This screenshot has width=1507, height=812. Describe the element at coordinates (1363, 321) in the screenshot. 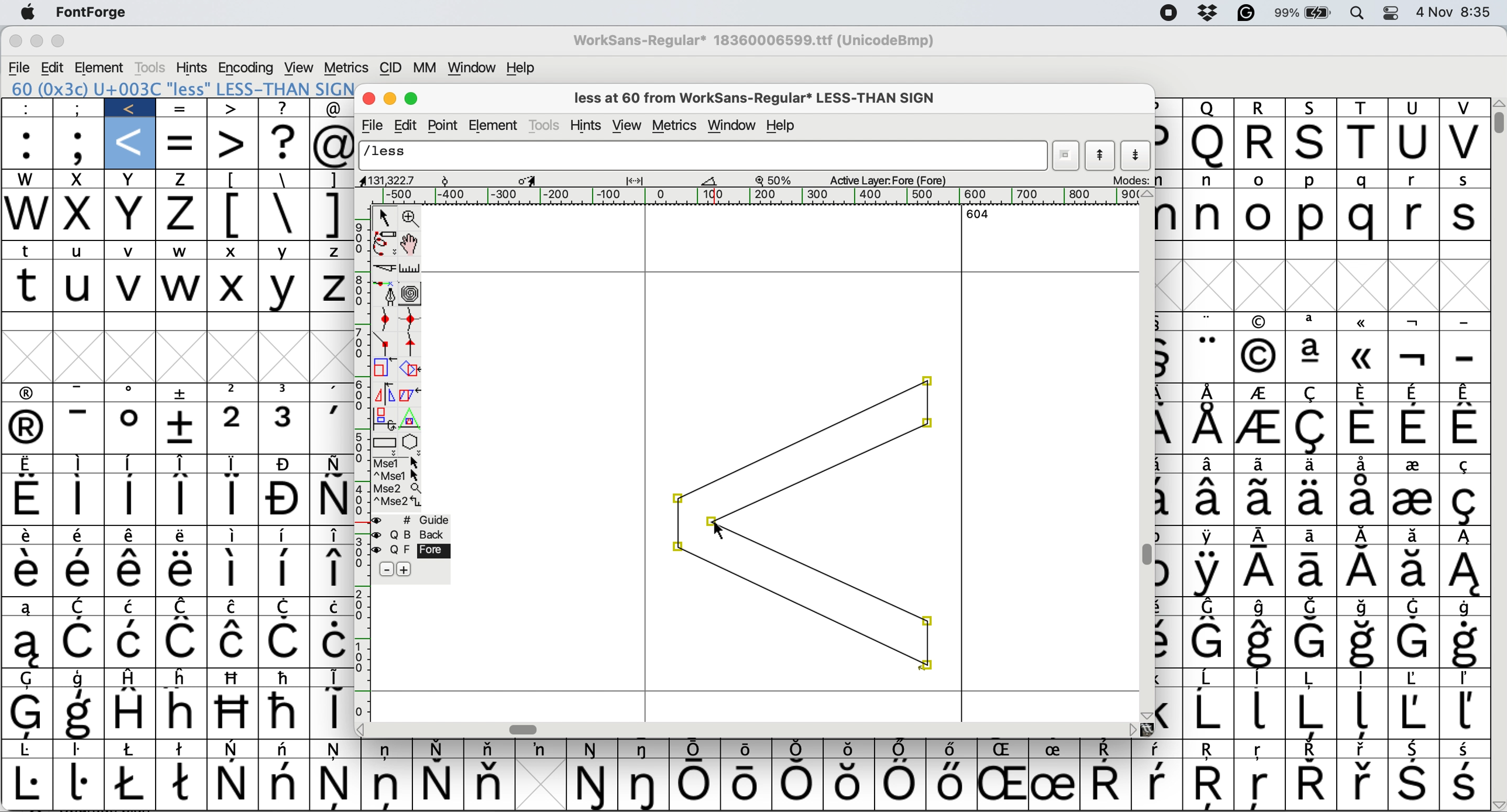

I see `Symbol` at that location.